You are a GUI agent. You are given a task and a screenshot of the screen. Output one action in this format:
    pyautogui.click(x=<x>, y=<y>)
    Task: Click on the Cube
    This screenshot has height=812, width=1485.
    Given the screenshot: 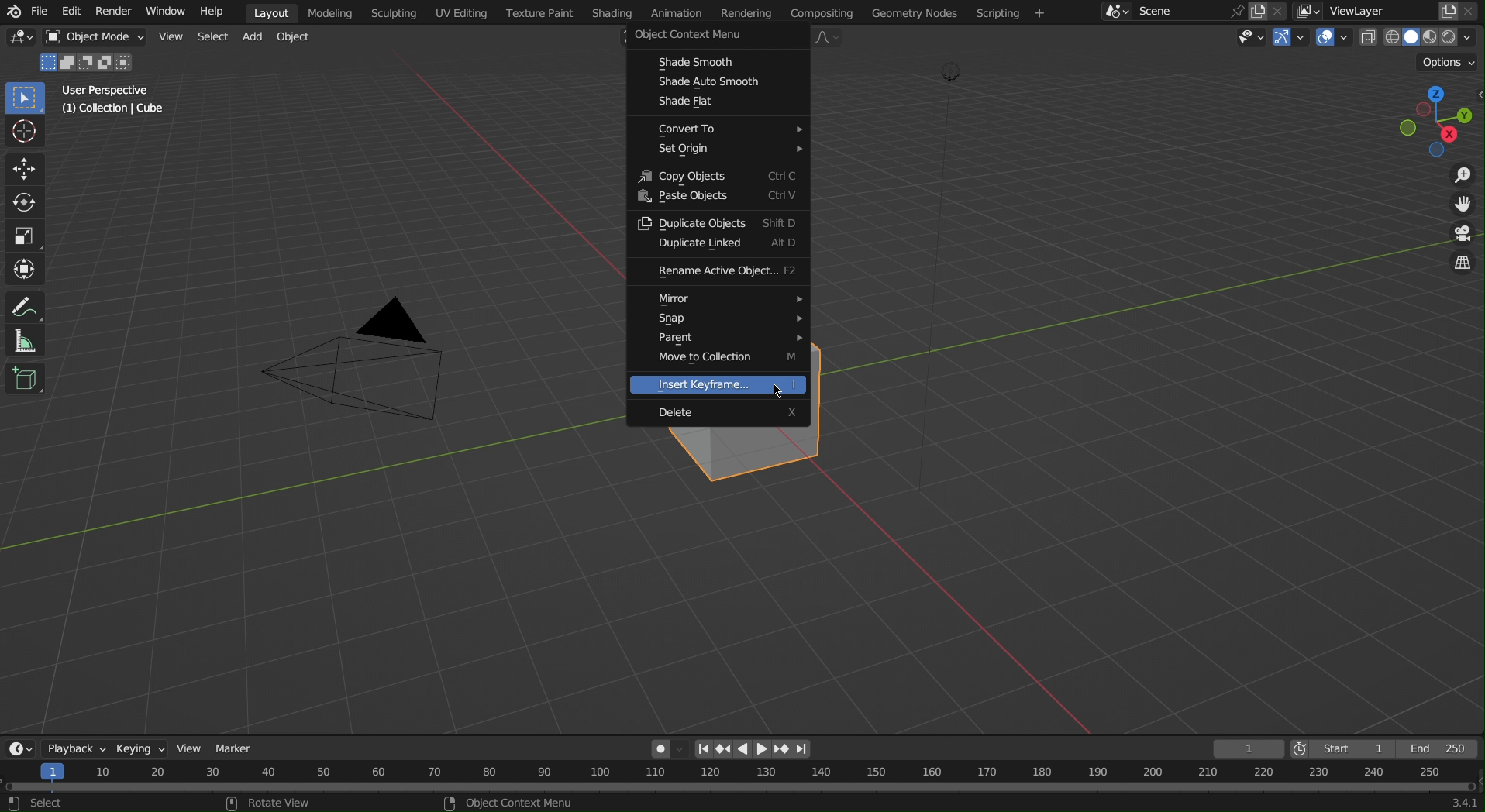 What is the action you would take?
    pyautogui.click(x=750, y=464)
    